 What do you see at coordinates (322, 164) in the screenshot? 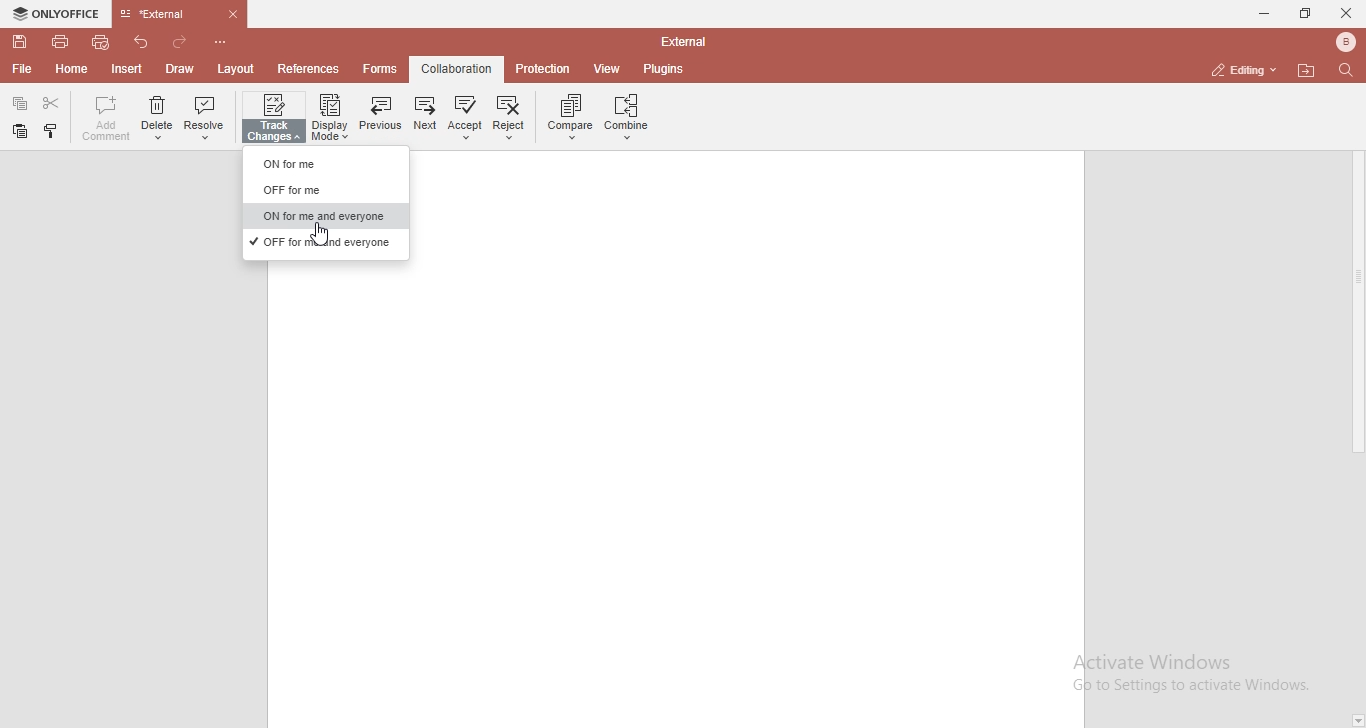
I see `on for me` at bounding box center [322, 164].